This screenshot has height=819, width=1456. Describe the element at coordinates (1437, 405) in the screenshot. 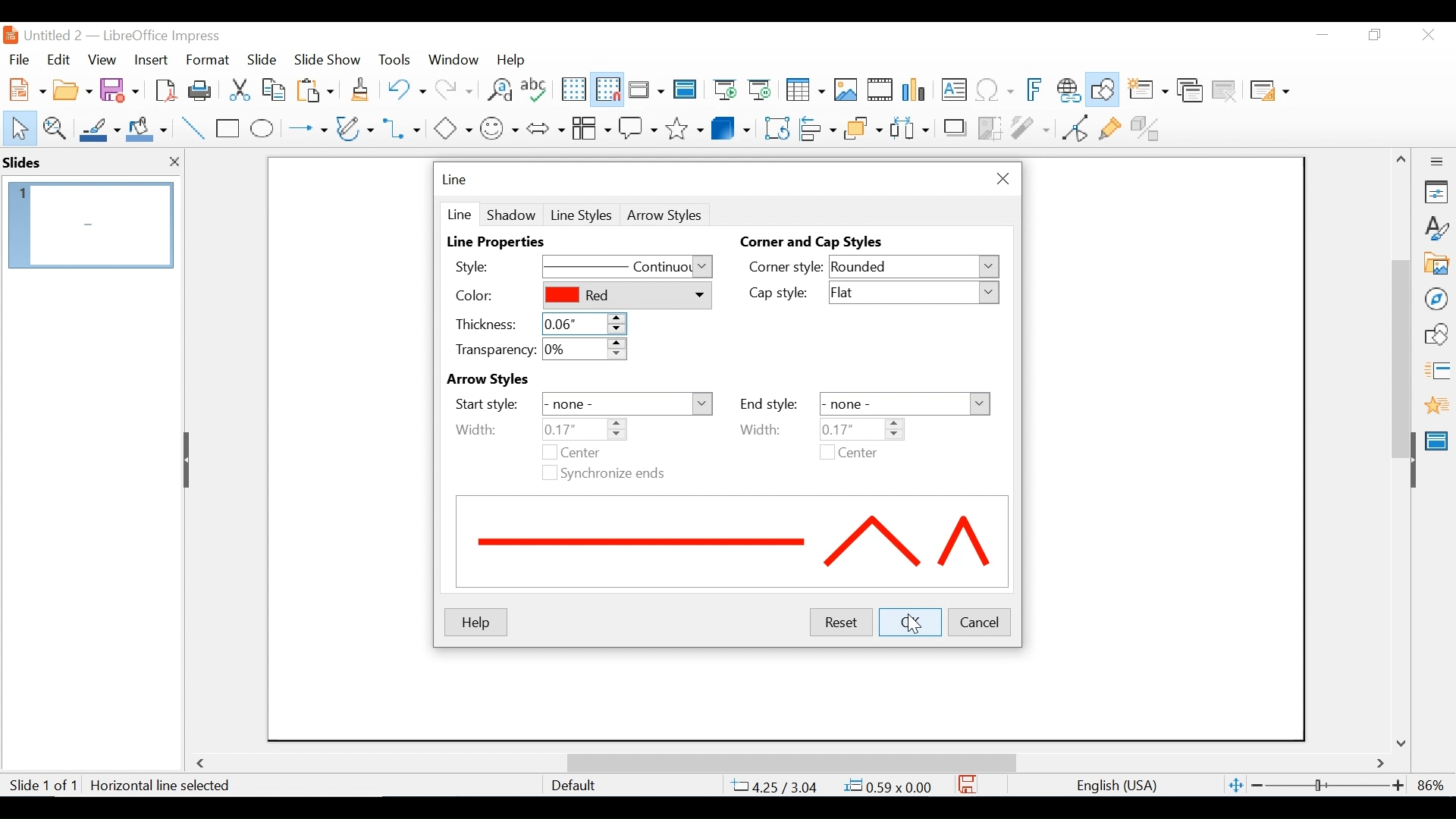

I see `Animation` at that location.